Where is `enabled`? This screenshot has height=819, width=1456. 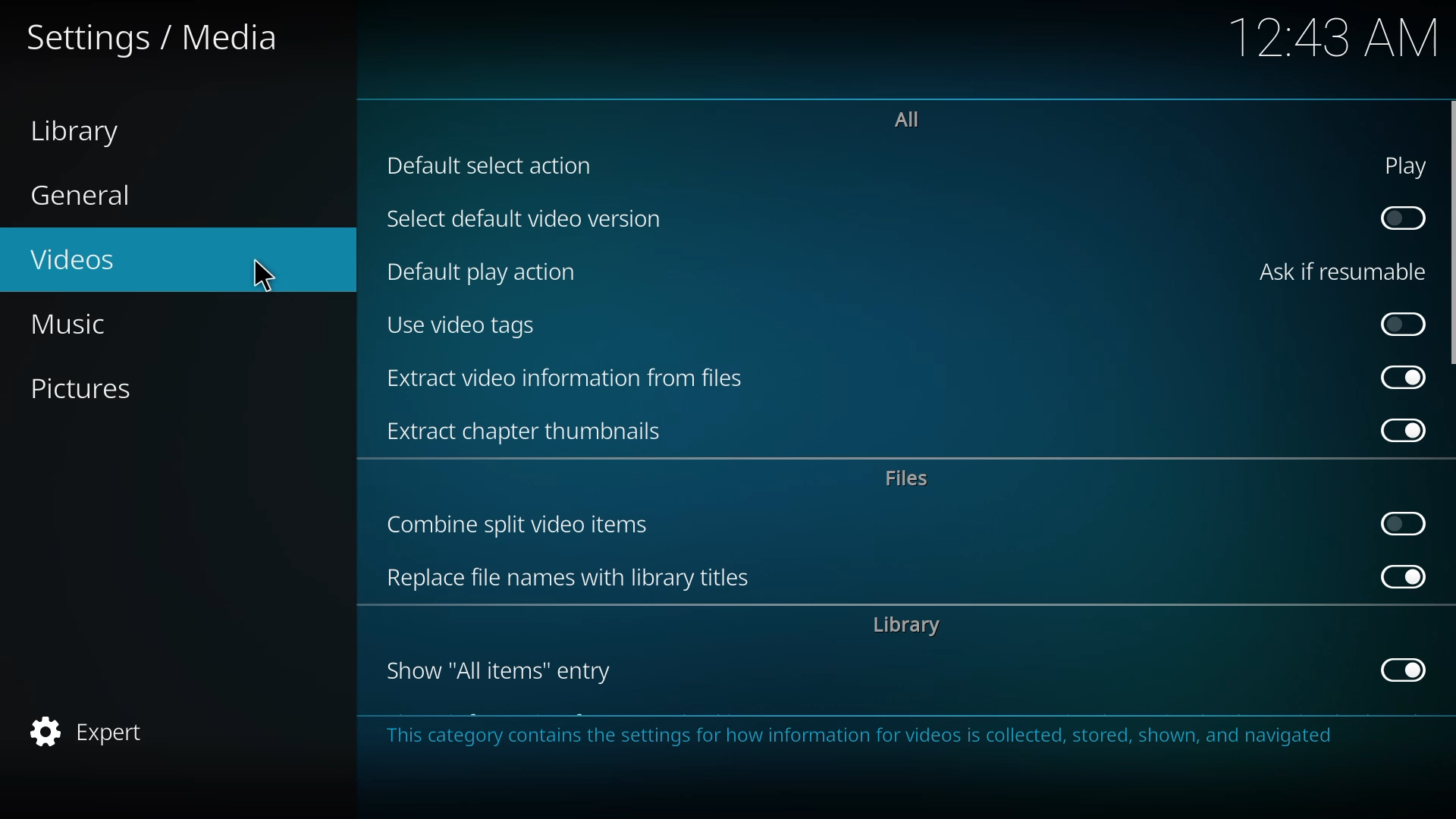
enabled is located at coordinates (1406, 378).